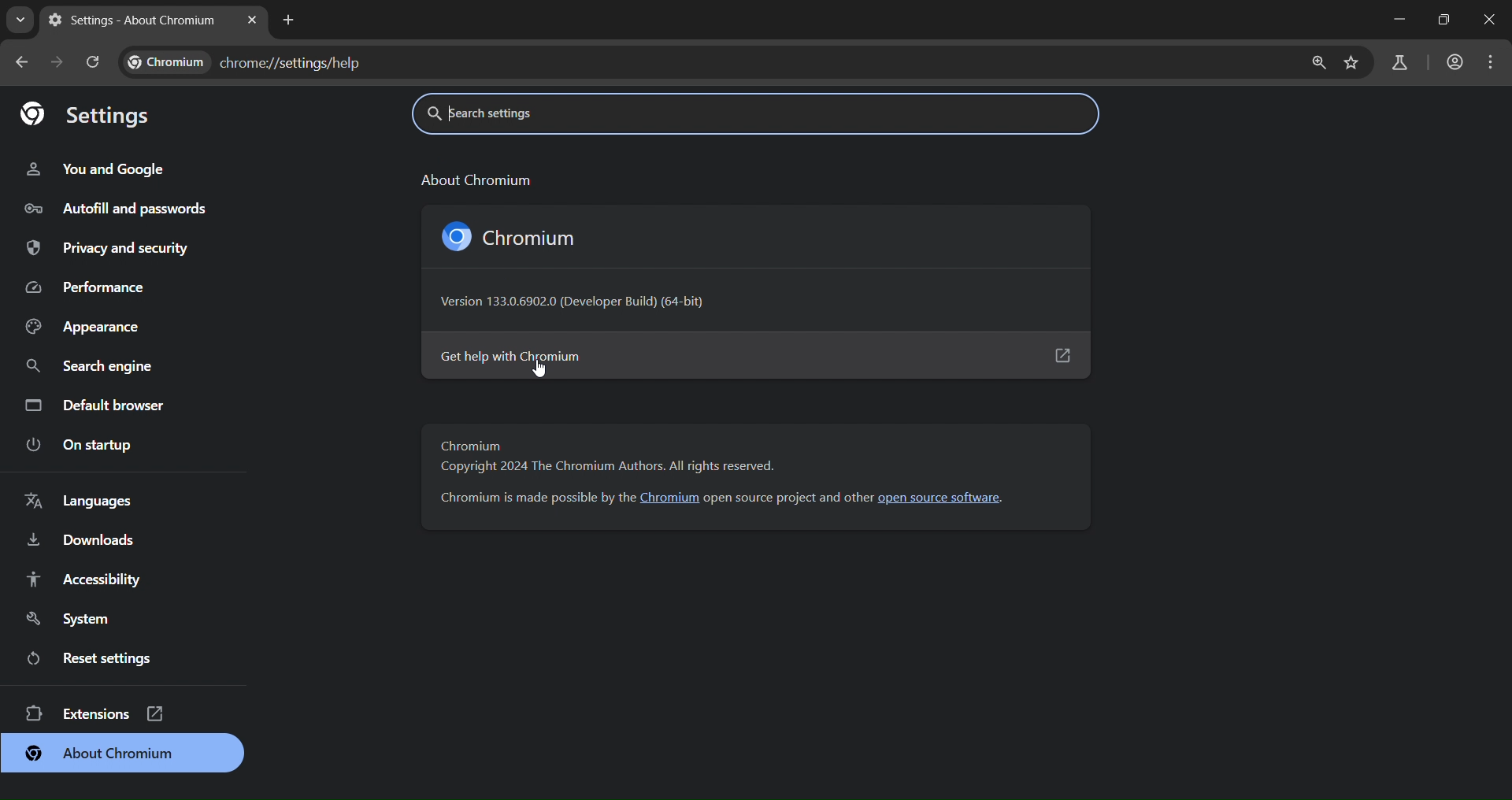 This screenshot has width=1512, height=800. I want to click on Close, so click(1487, 18).